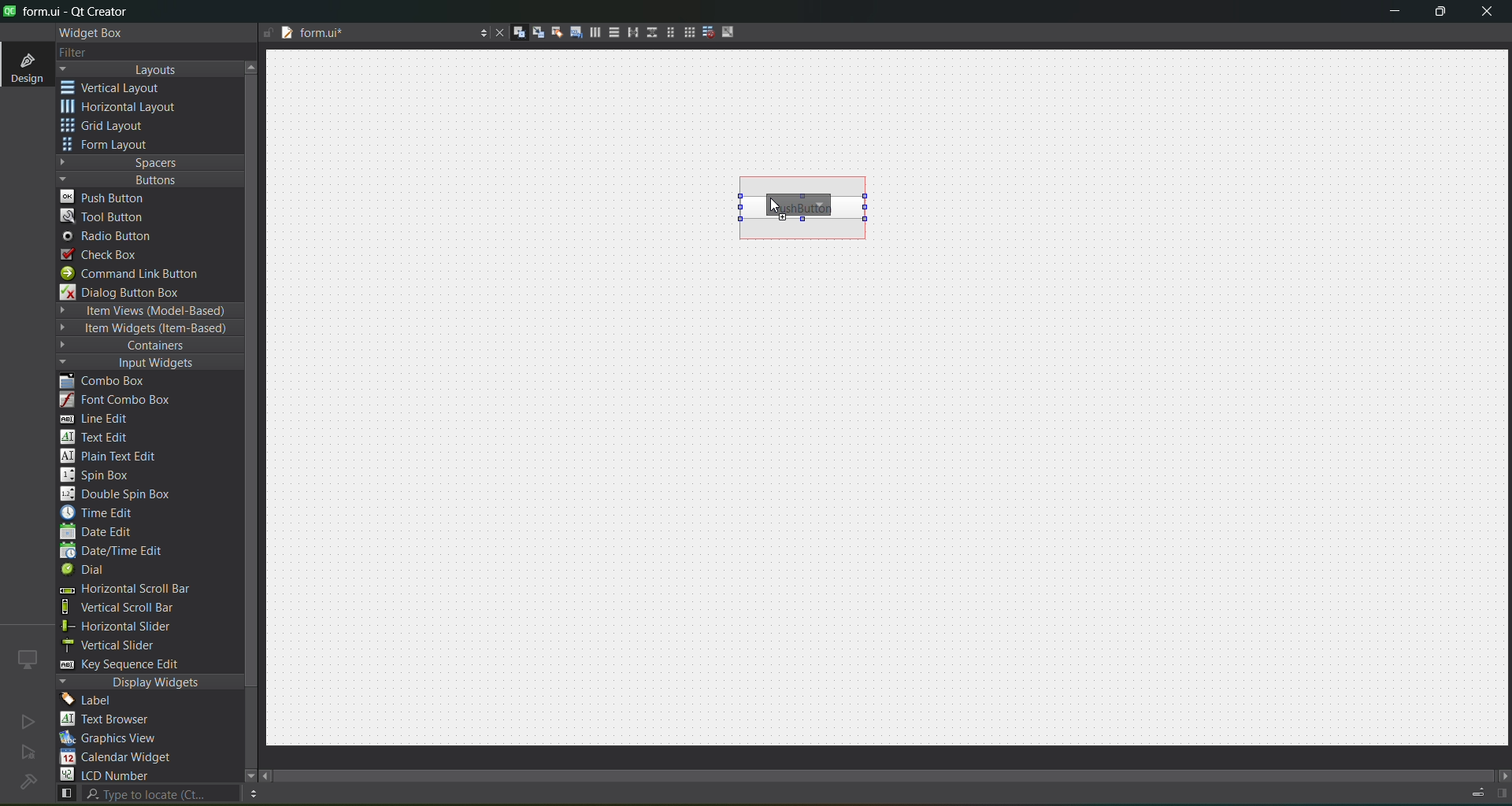  Describe the element at coordinates (732, 31) in the screenshot. I see `adjust size` at that location.